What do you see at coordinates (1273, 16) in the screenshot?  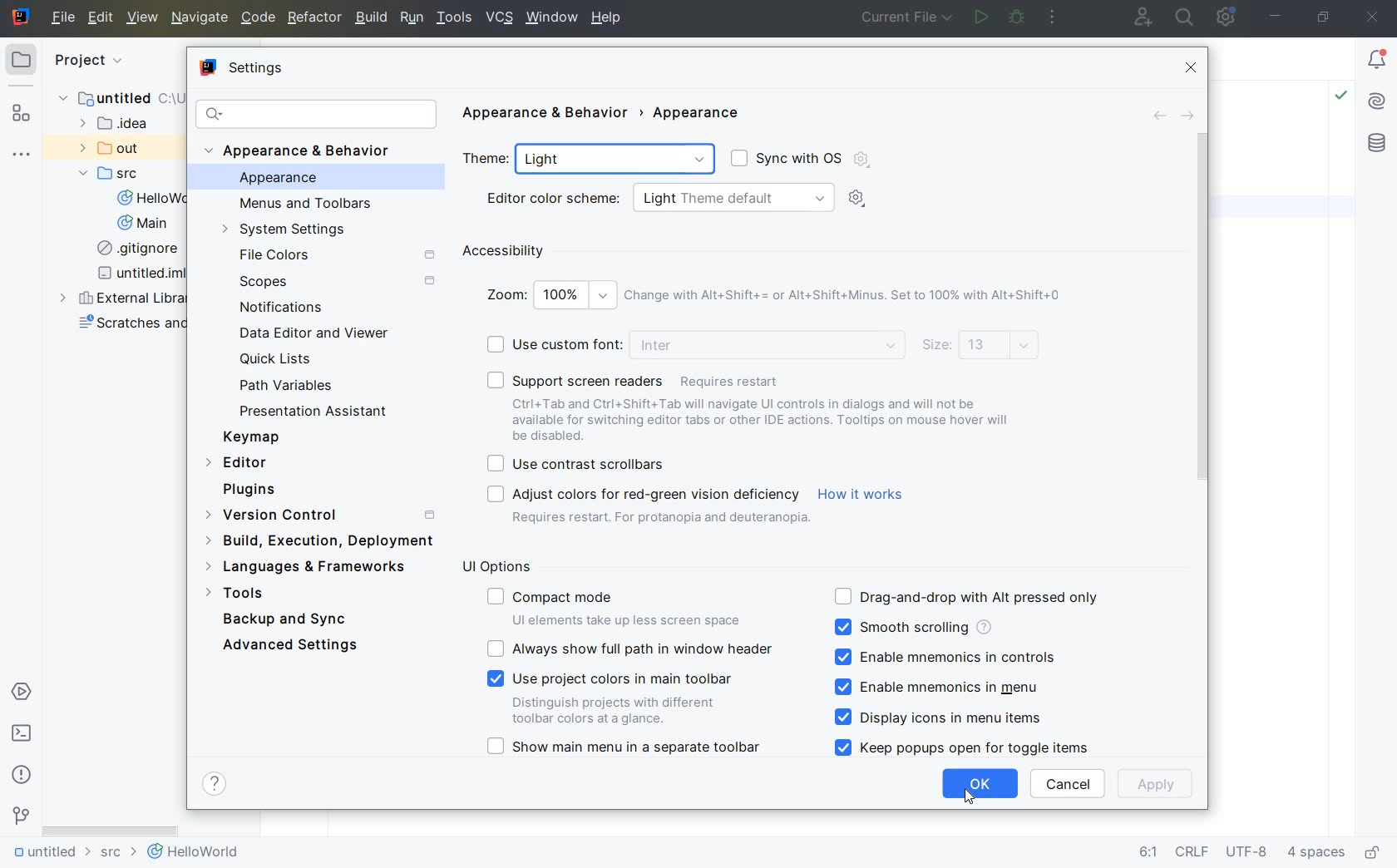 I see `minimize` at bounding box center [1273, 16].